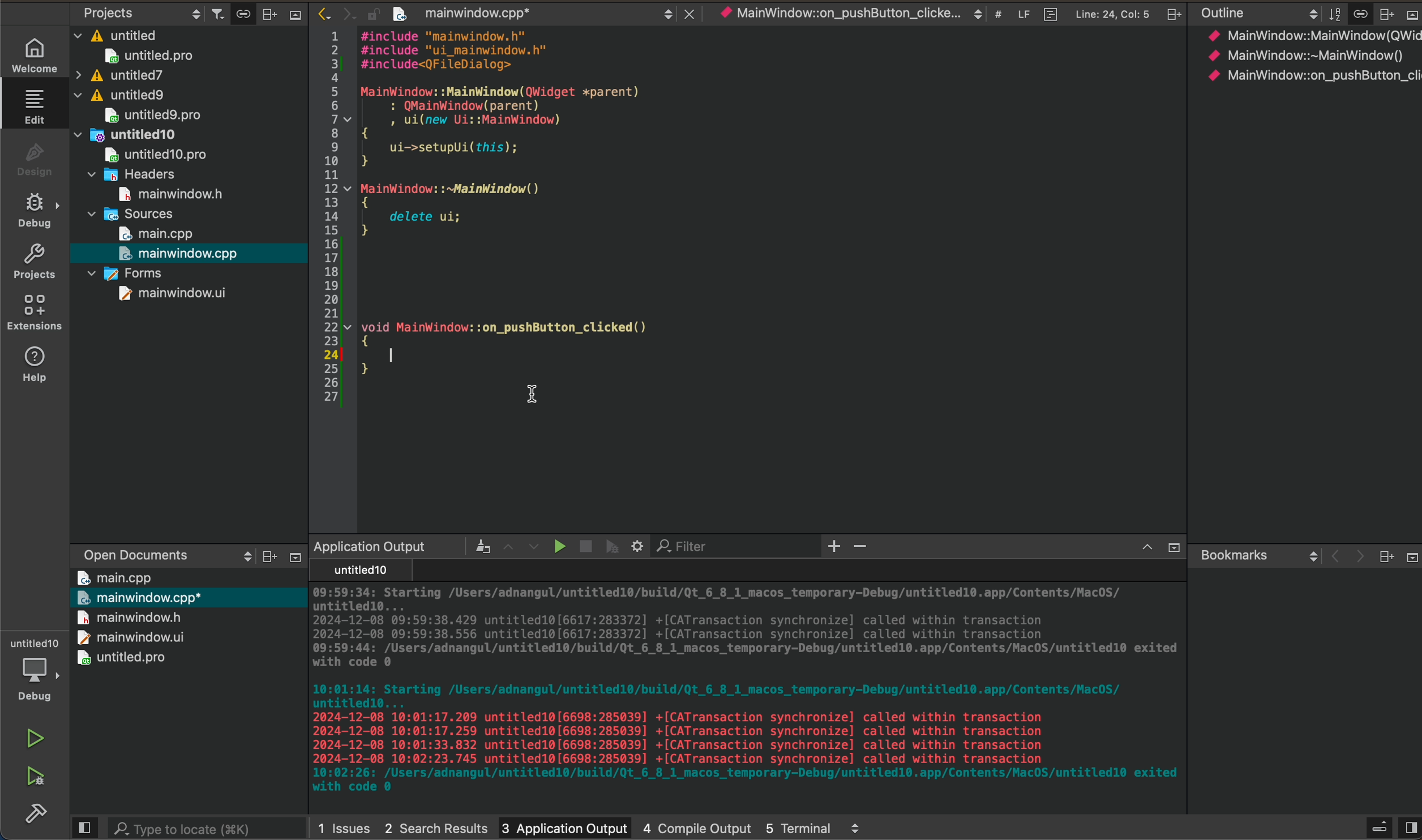  Describe the element at coordinates (690, 547) in the screenshot. I see `filter` at that location.